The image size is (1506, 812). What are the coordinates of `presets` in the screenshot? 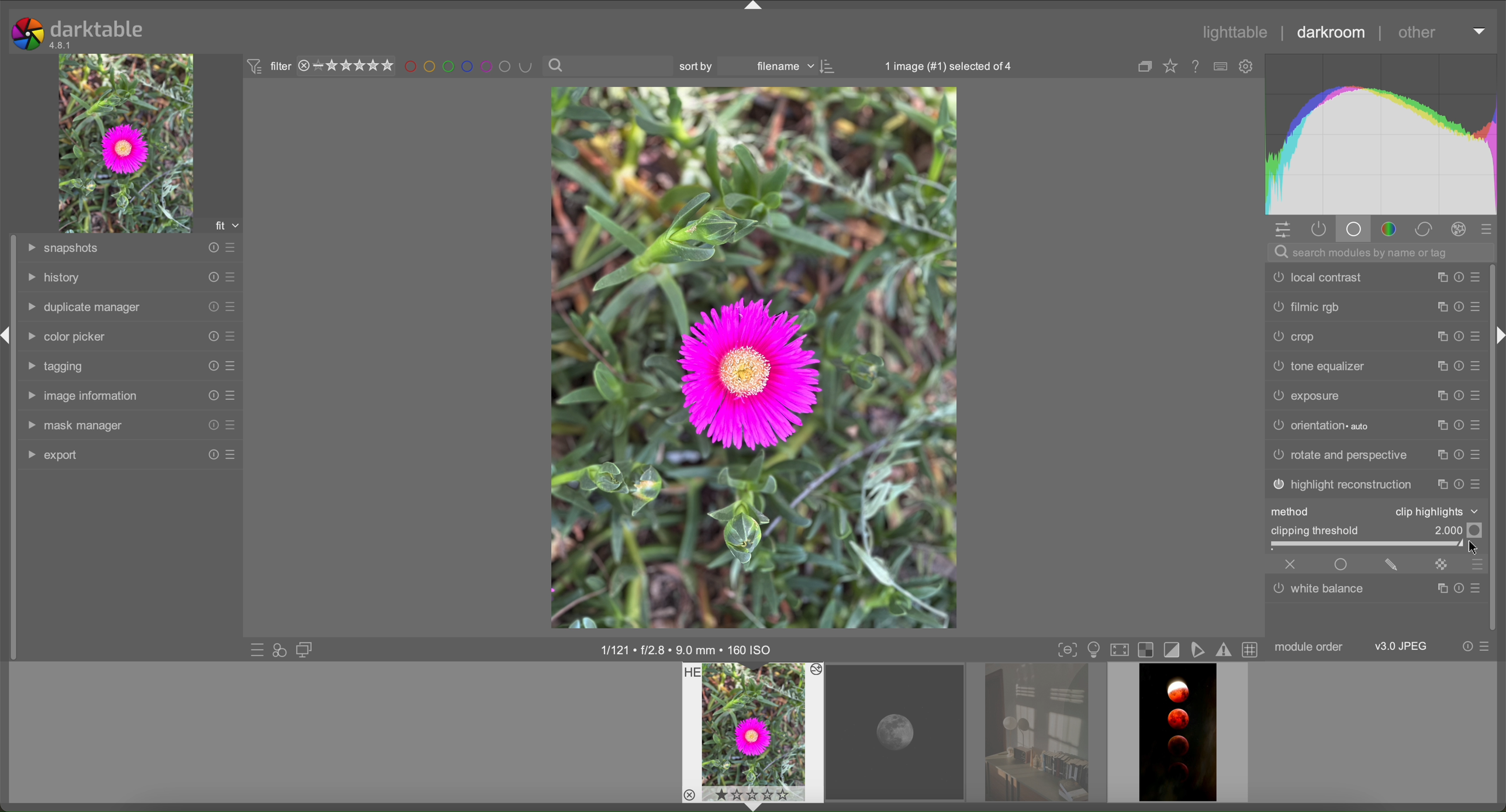 It's located at (234, 278).